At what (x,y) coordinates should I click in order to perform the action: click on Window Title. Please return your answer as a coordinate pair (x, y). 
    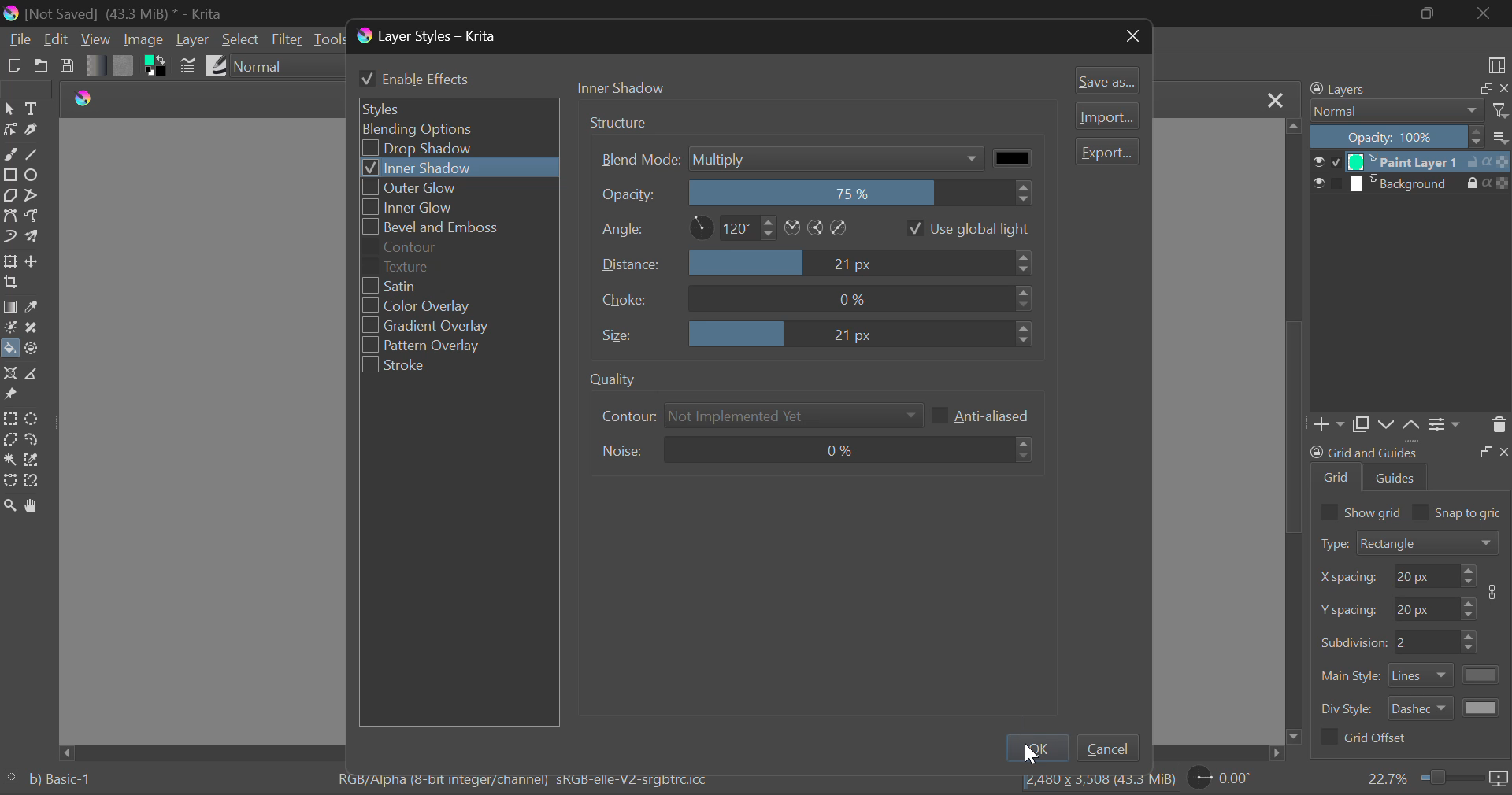
    Looking at the image, I should click on (435, 36).